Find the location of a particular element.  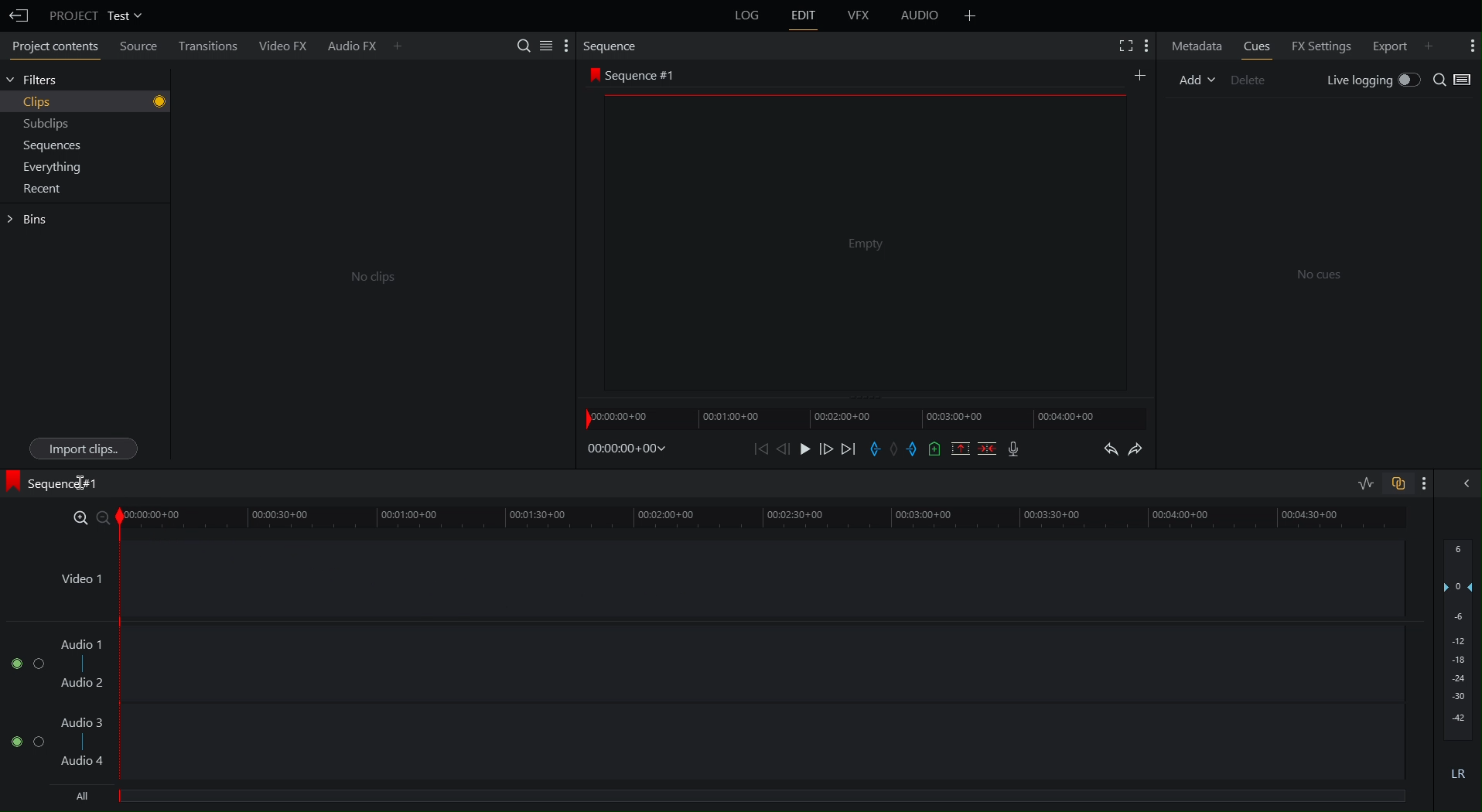

Remove marked section is located at coordinates (961, 448).